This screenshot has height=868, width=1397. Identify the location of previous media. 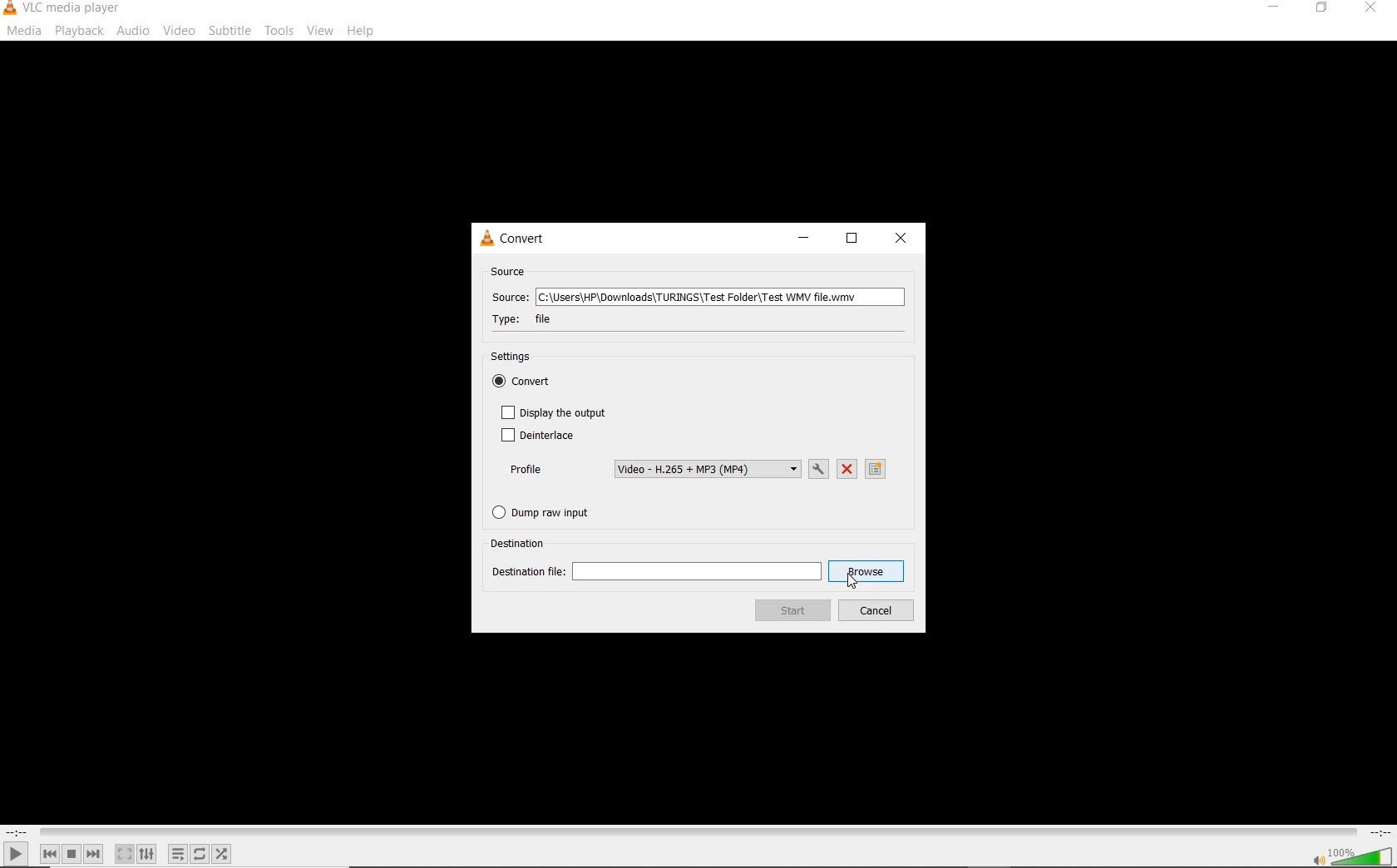
(49, 854).